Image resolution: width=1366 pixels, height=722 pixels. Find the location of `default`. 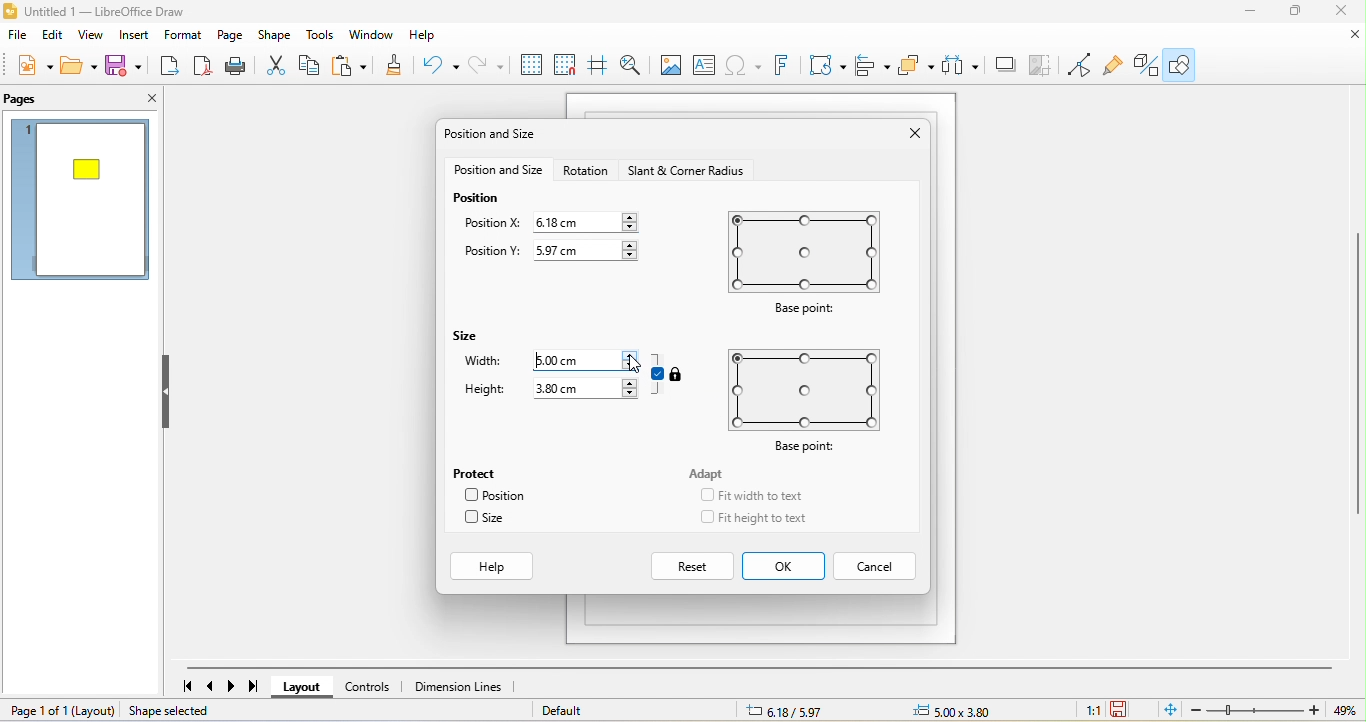

default is located at coordinates (583, 711).